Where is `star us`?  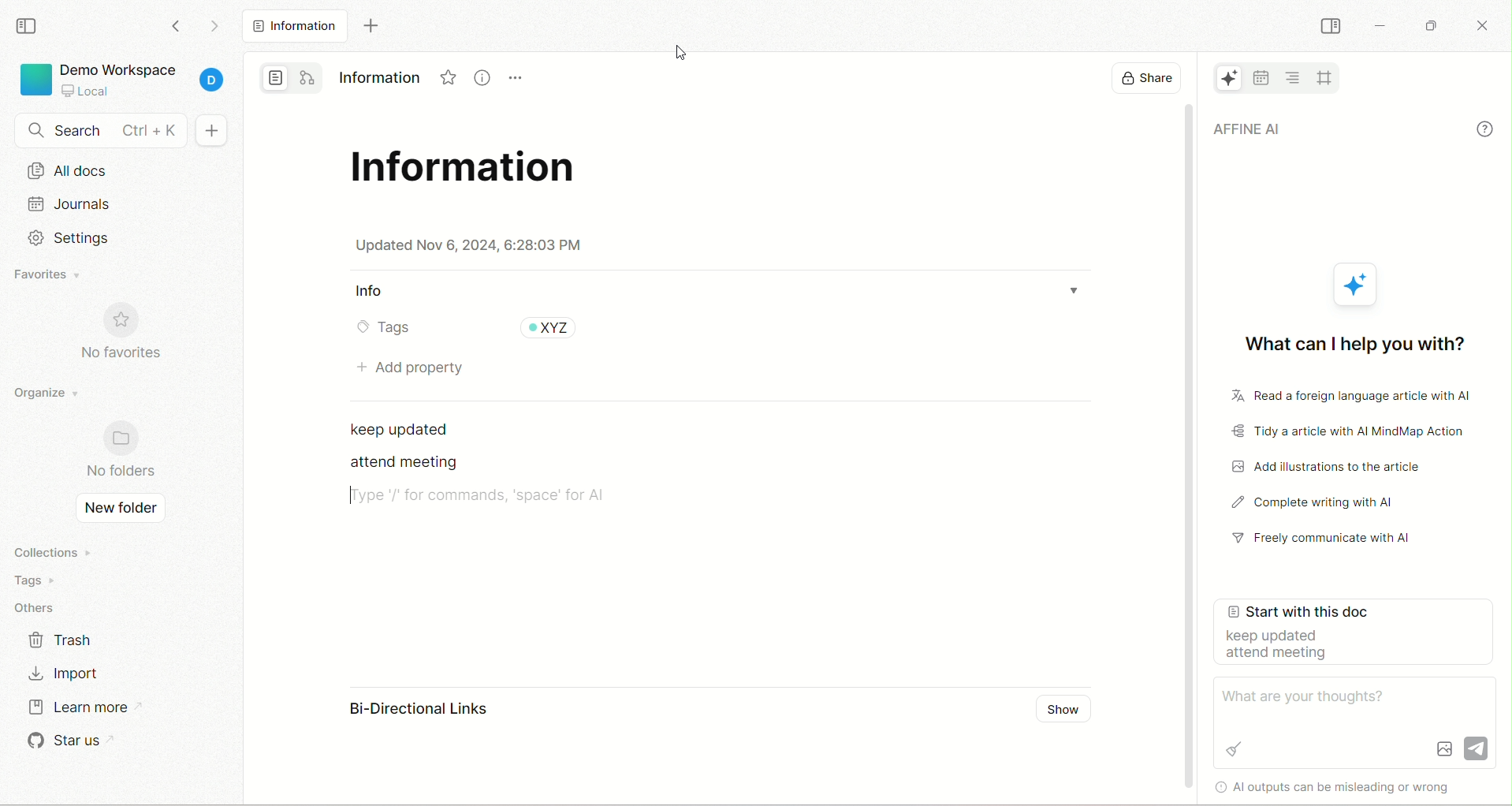 star us is located at coordinates (65, 741).